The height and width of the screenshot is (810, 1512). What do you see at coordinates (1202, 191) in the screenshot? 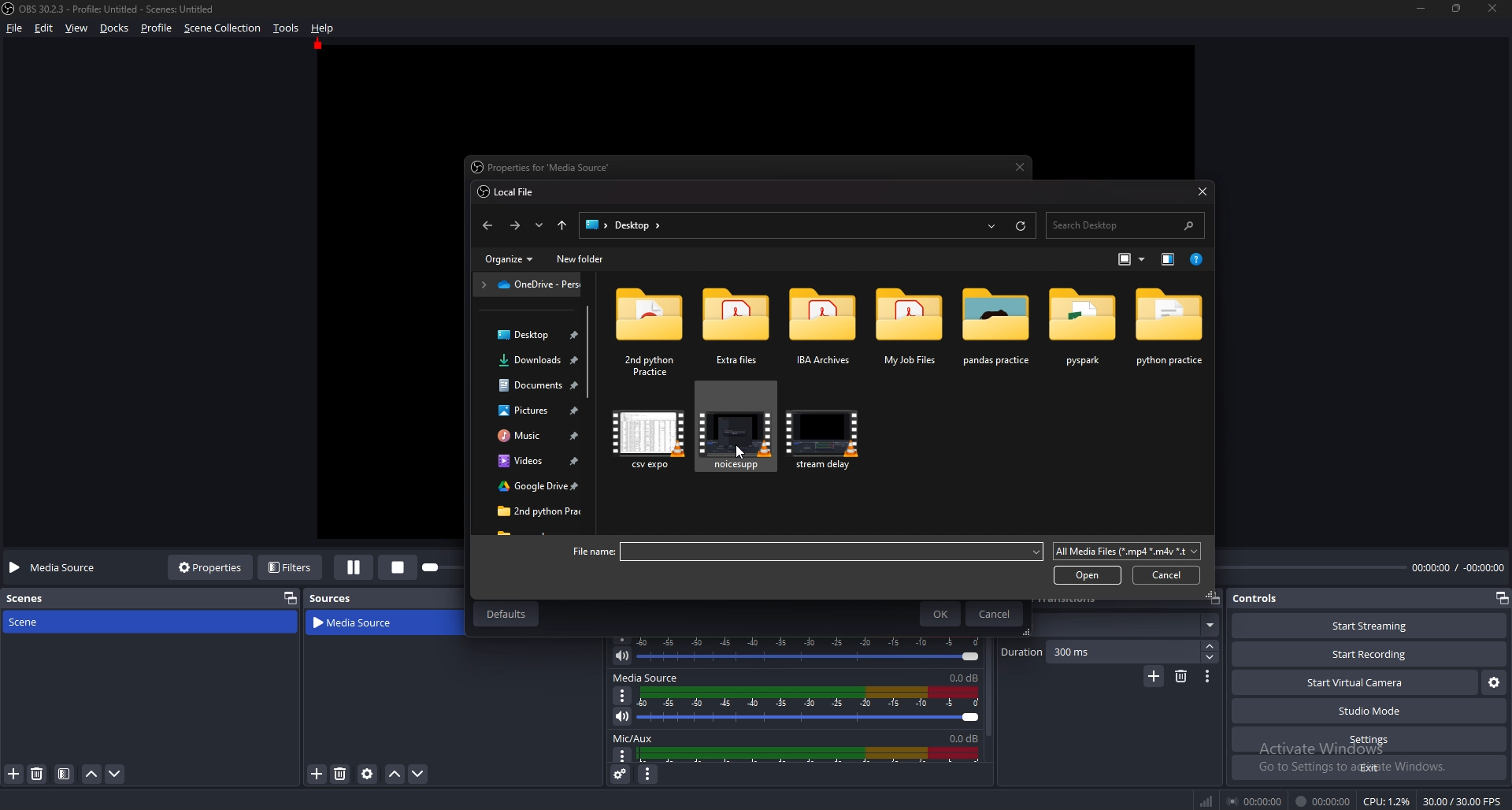
I see `Close` at bounding box center [1202, 191].